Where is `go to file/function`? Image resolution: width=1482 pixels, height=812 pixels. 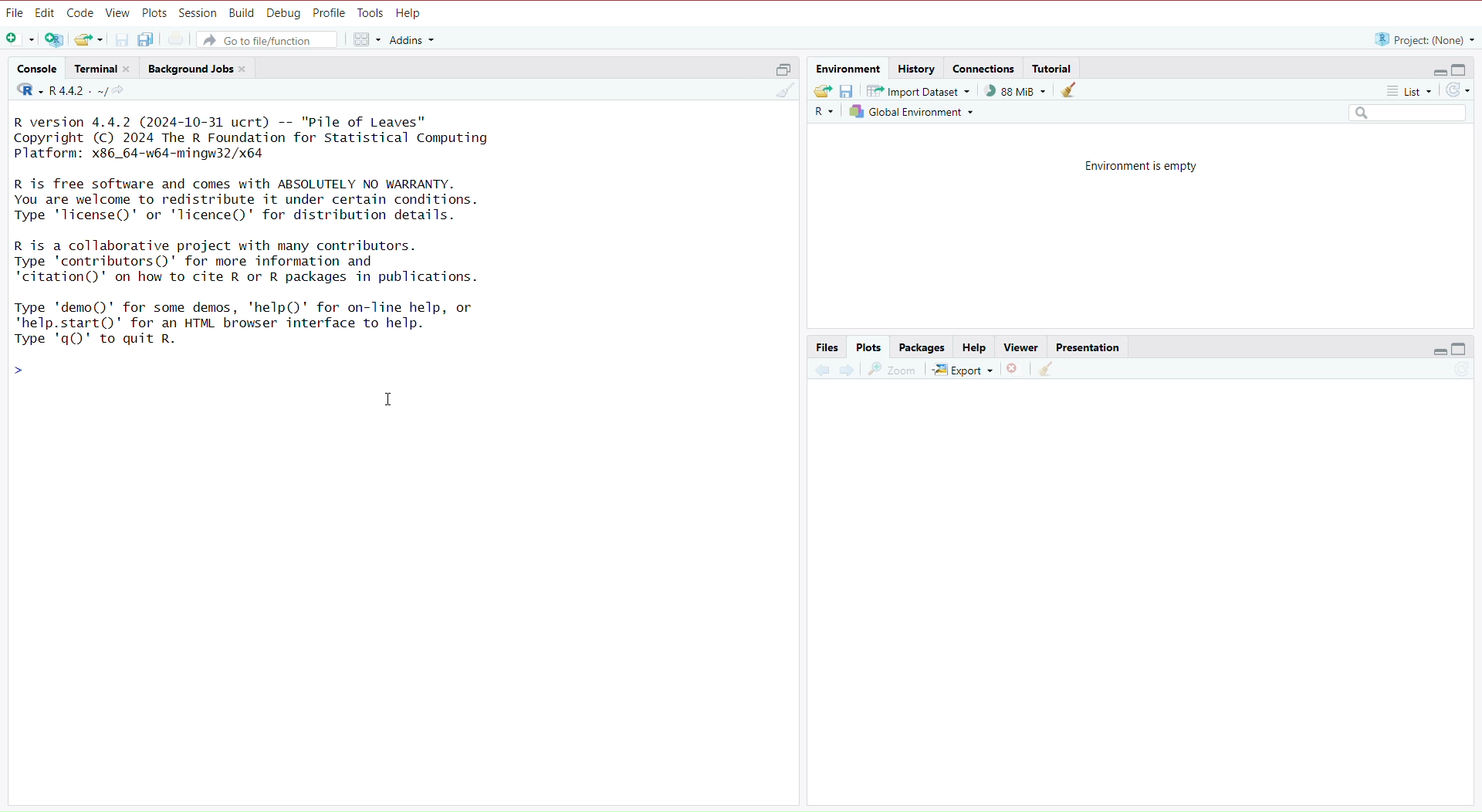
go to file/function is located at coordinates (271, 39).